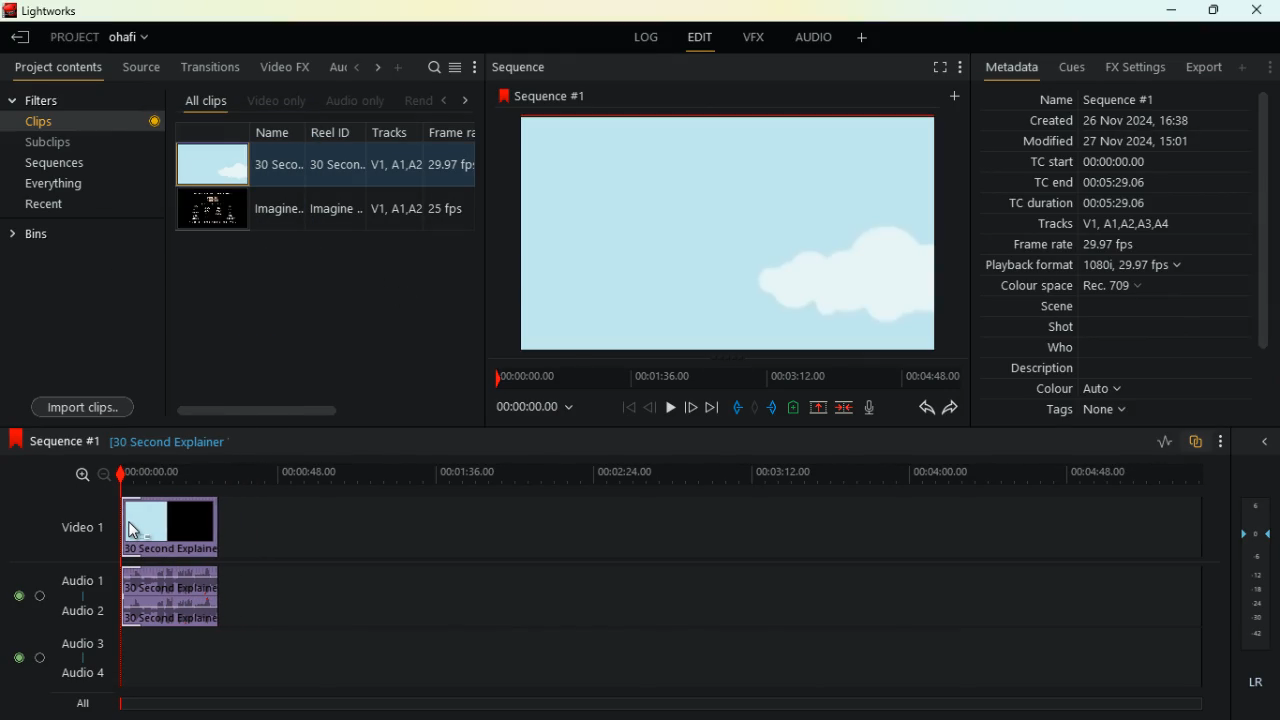 This screenshot has width=1280, height=720. What do you see at coordinates (215, 207) in the screenshot?
I see `videos` at bounding box center [215, 207].